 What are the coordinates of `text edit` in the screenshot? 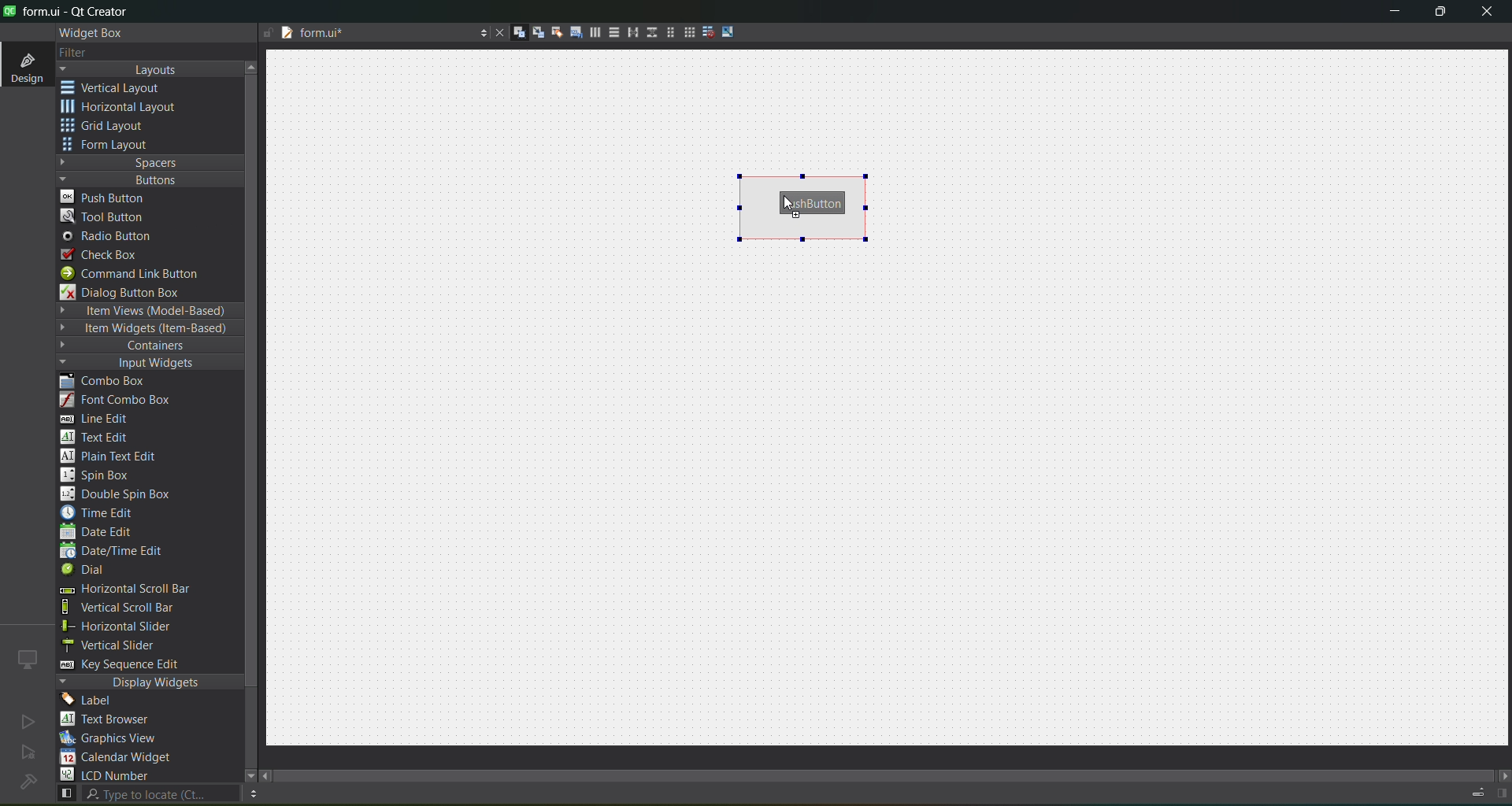 It's located at (99, 436).